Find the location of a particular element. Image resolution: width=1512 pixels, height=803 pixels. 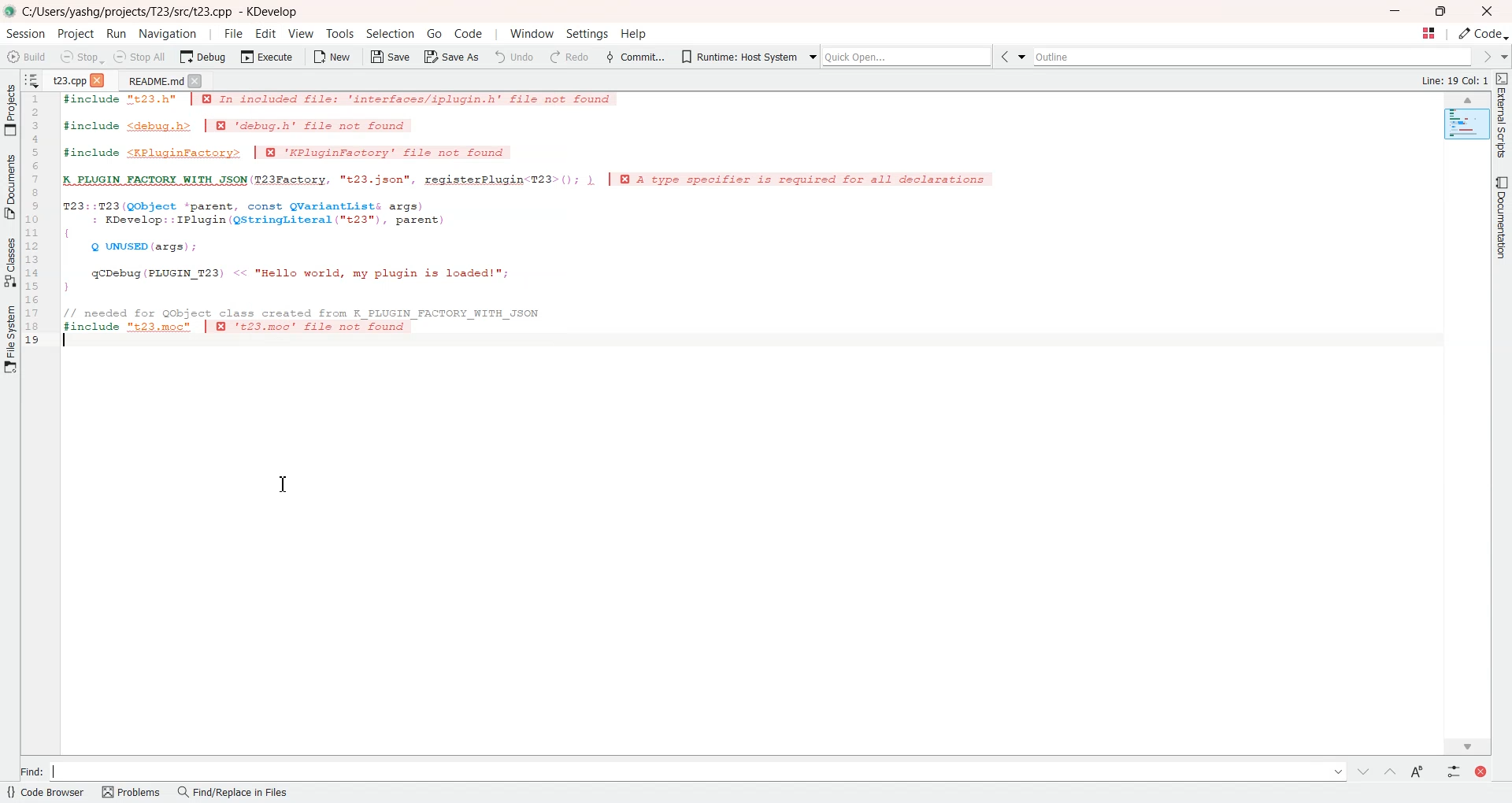

File system is located at coordinates (11, 343).